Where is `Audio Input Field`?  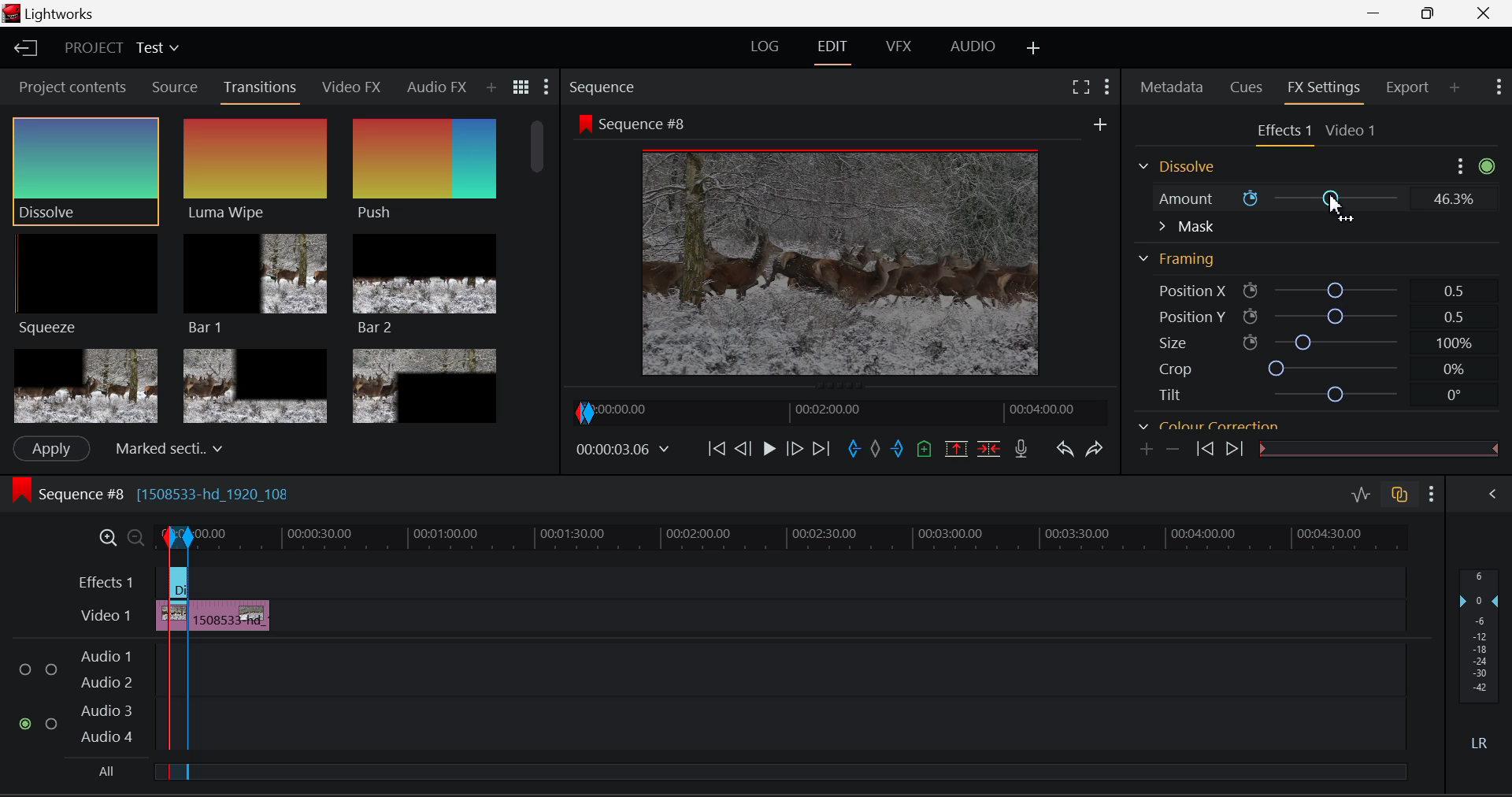 Audio Input Field is located at coordinates (798, 662).